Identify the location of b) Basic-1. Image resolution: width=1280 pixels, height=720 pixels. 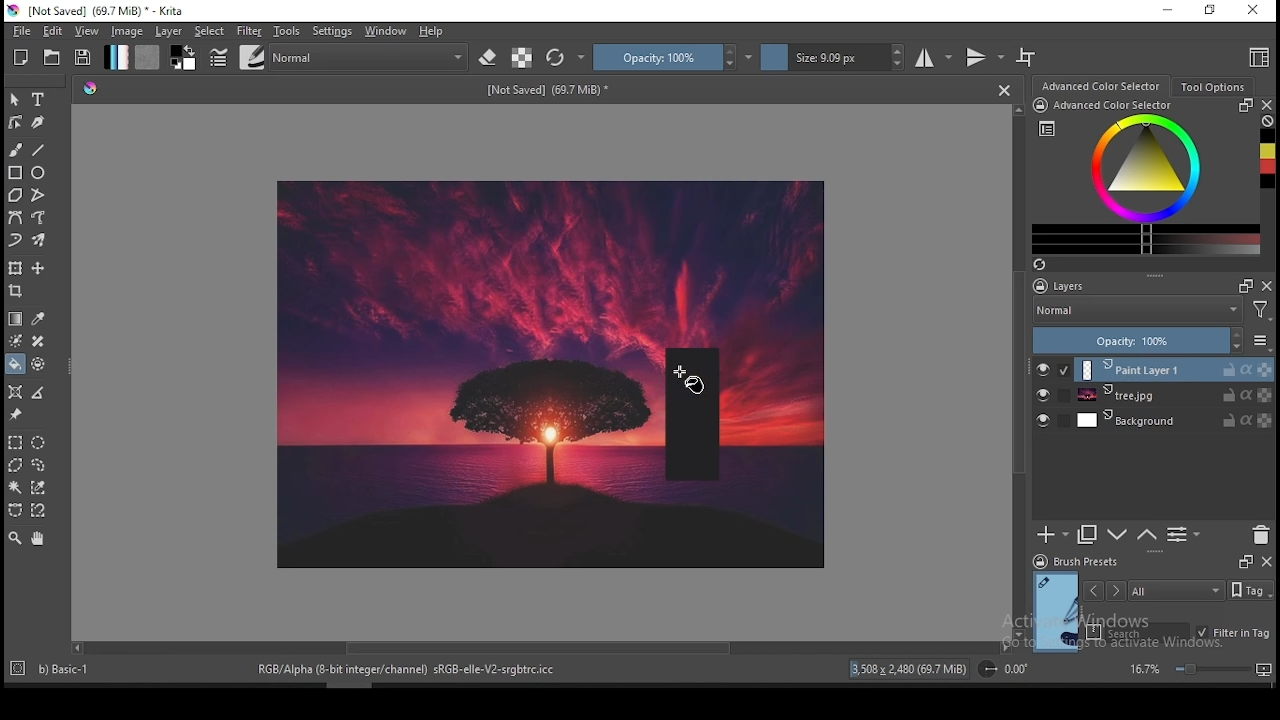
(55, 666).